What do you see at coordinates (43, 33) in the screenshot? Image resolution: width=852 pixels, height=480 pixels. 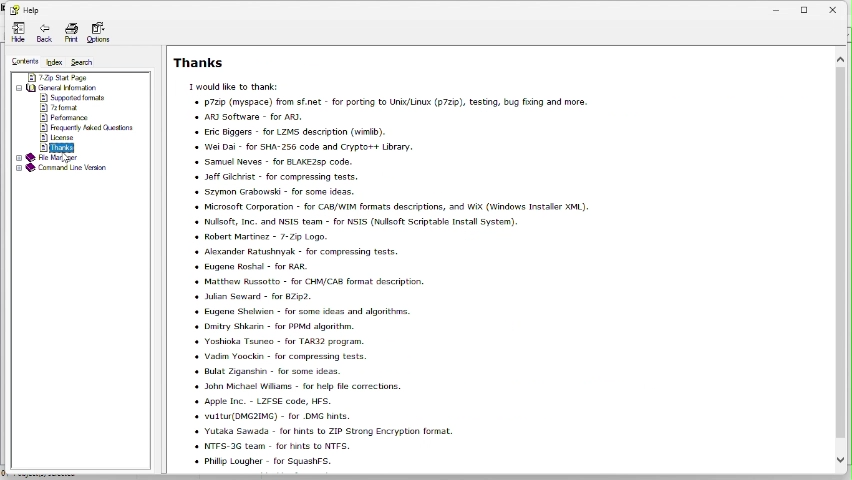 I see `Back` at bounding box center [43, 33].